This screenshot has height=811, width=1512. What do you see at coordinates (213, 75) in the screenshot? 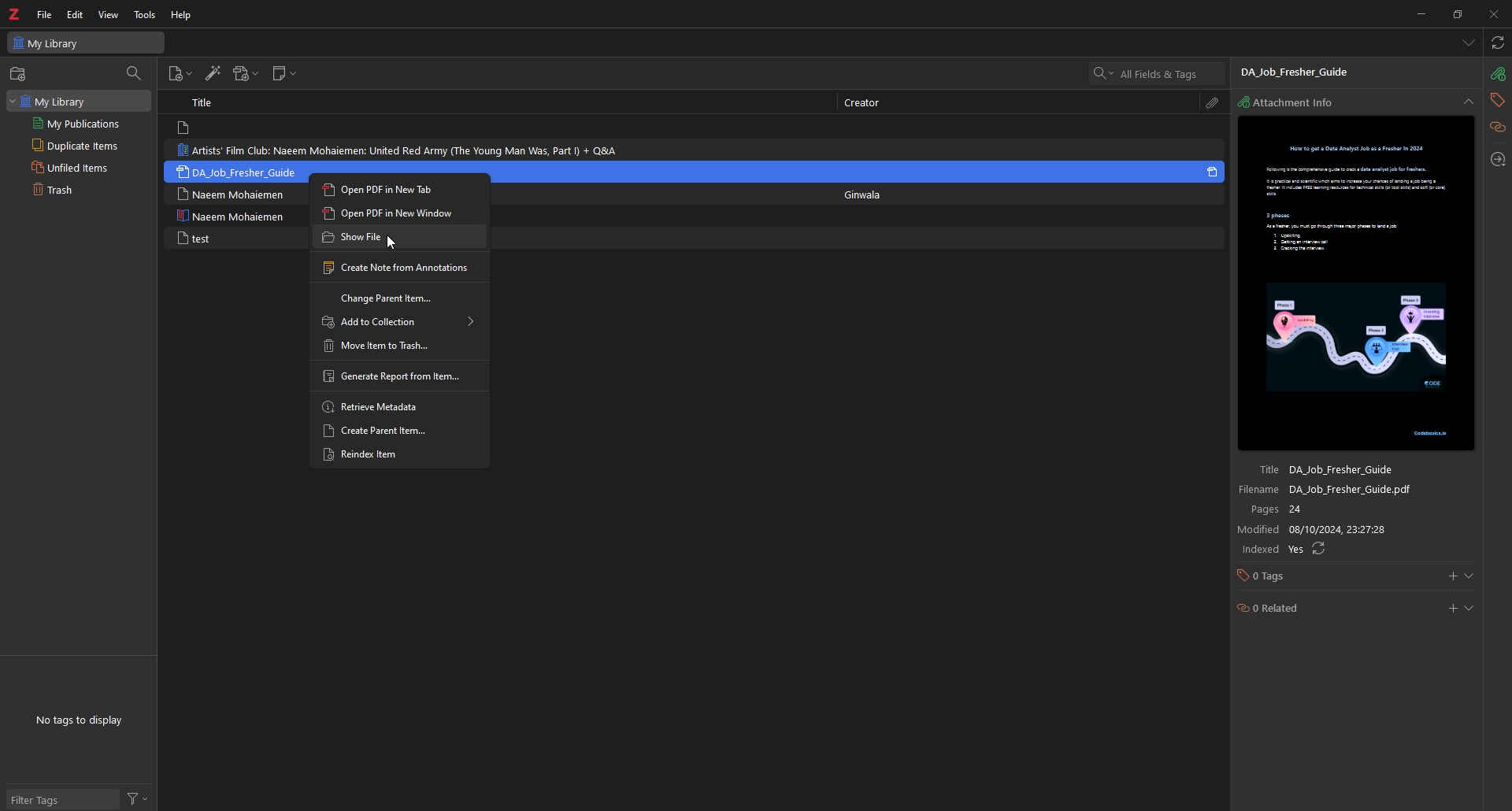
I see `add items by identifier` at bounding box center [213, 75].